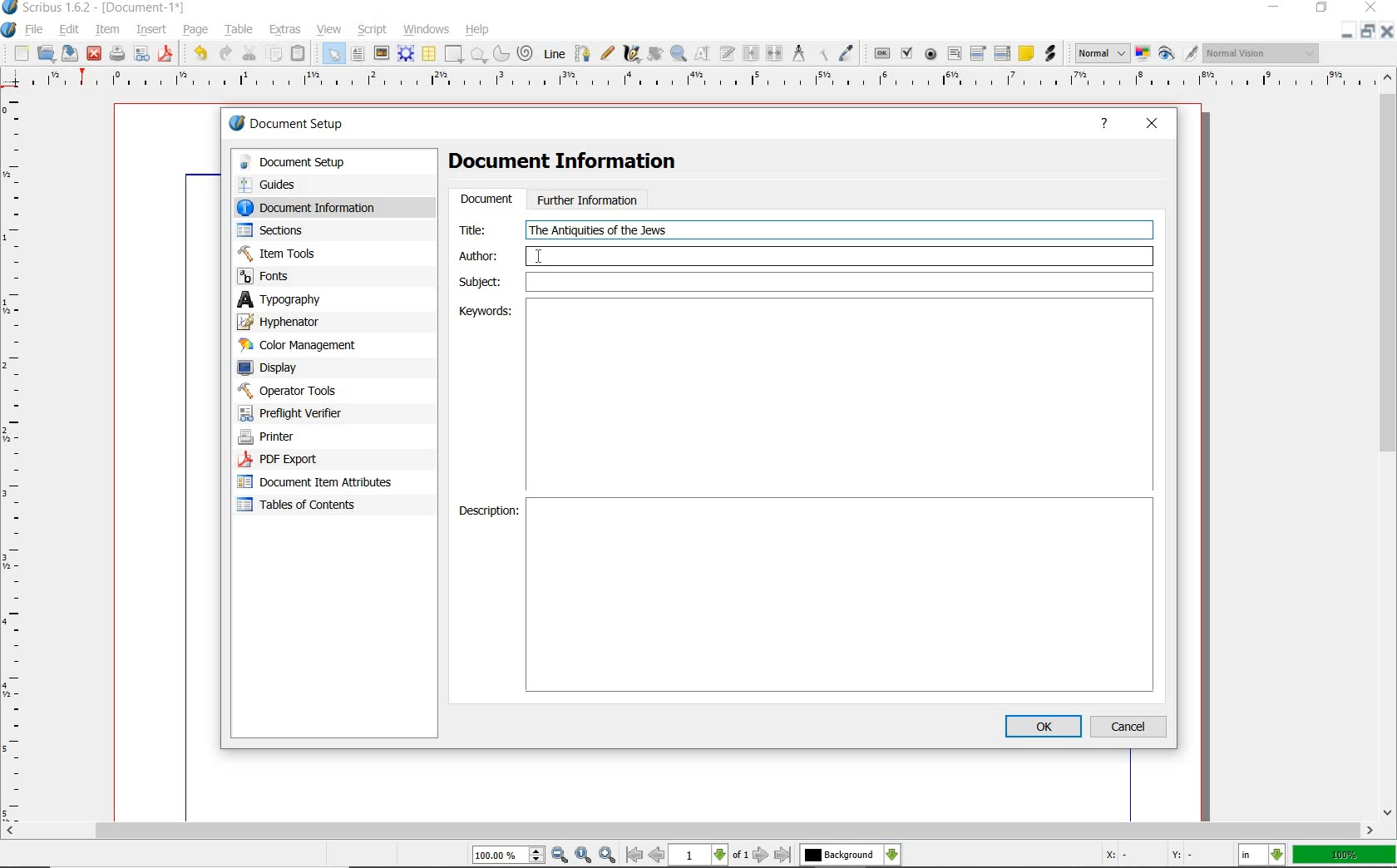  Describe the element at coordinates (239, 29) in the screenshot. I see `table` at that location.